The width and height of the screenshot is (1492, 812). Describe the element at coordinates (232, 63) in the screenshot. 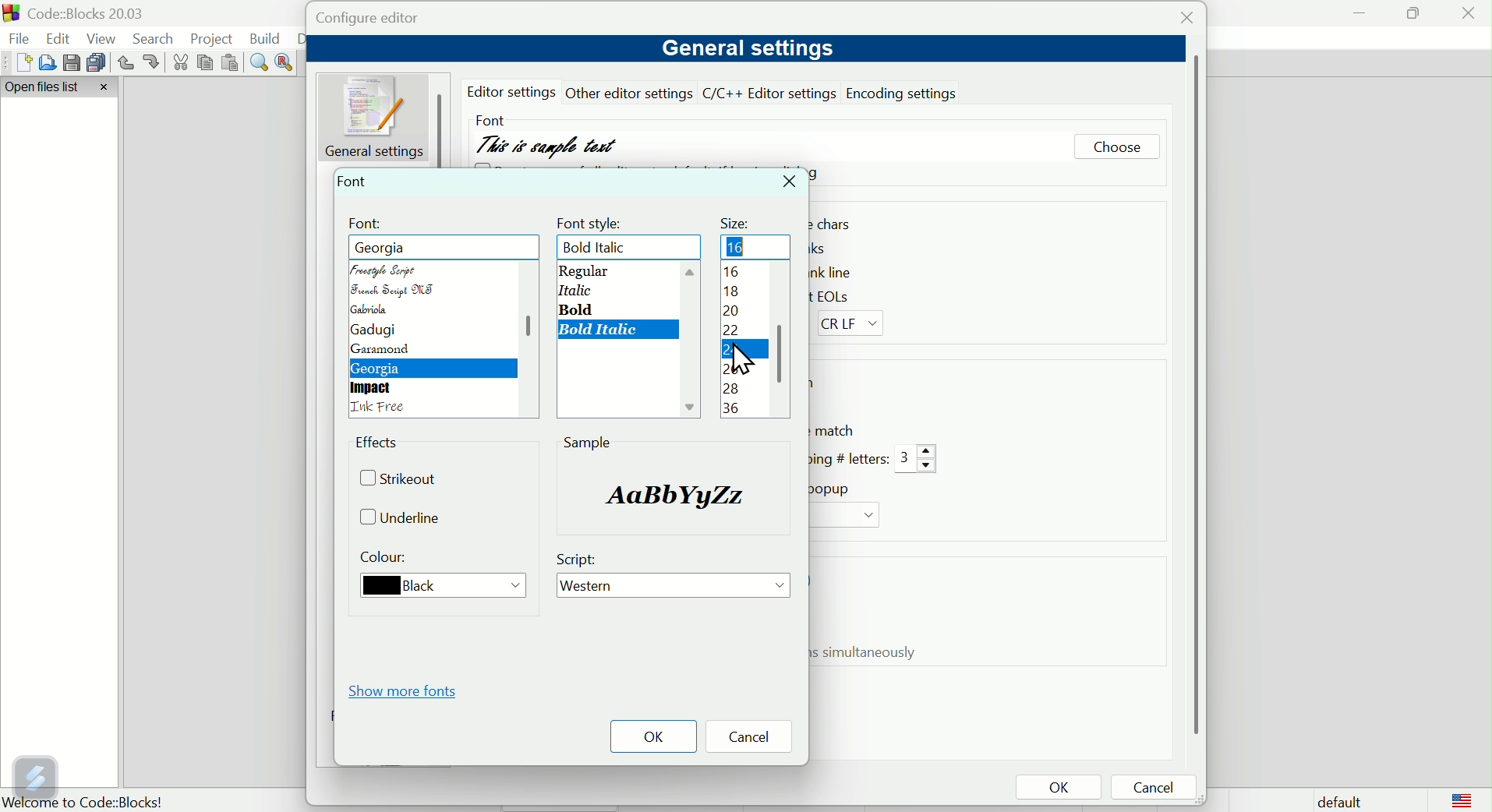

I see `Paste` at that location.